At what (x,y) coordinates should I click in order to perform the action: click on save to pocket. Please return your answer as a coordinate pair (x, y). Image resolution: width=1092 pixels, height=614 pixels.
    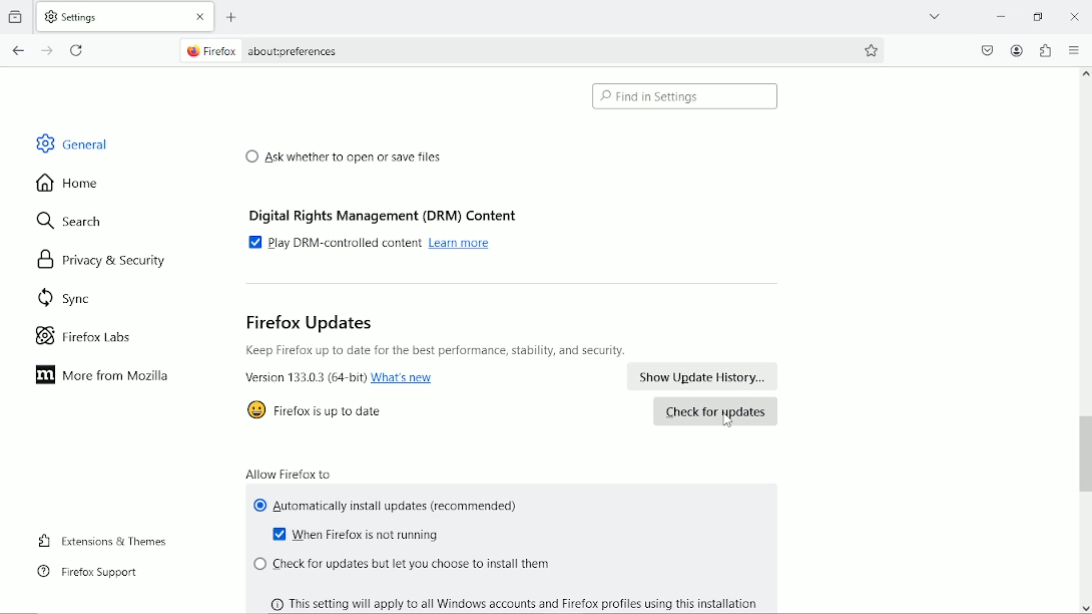
    Looking at the image, I should click on (988, 50).